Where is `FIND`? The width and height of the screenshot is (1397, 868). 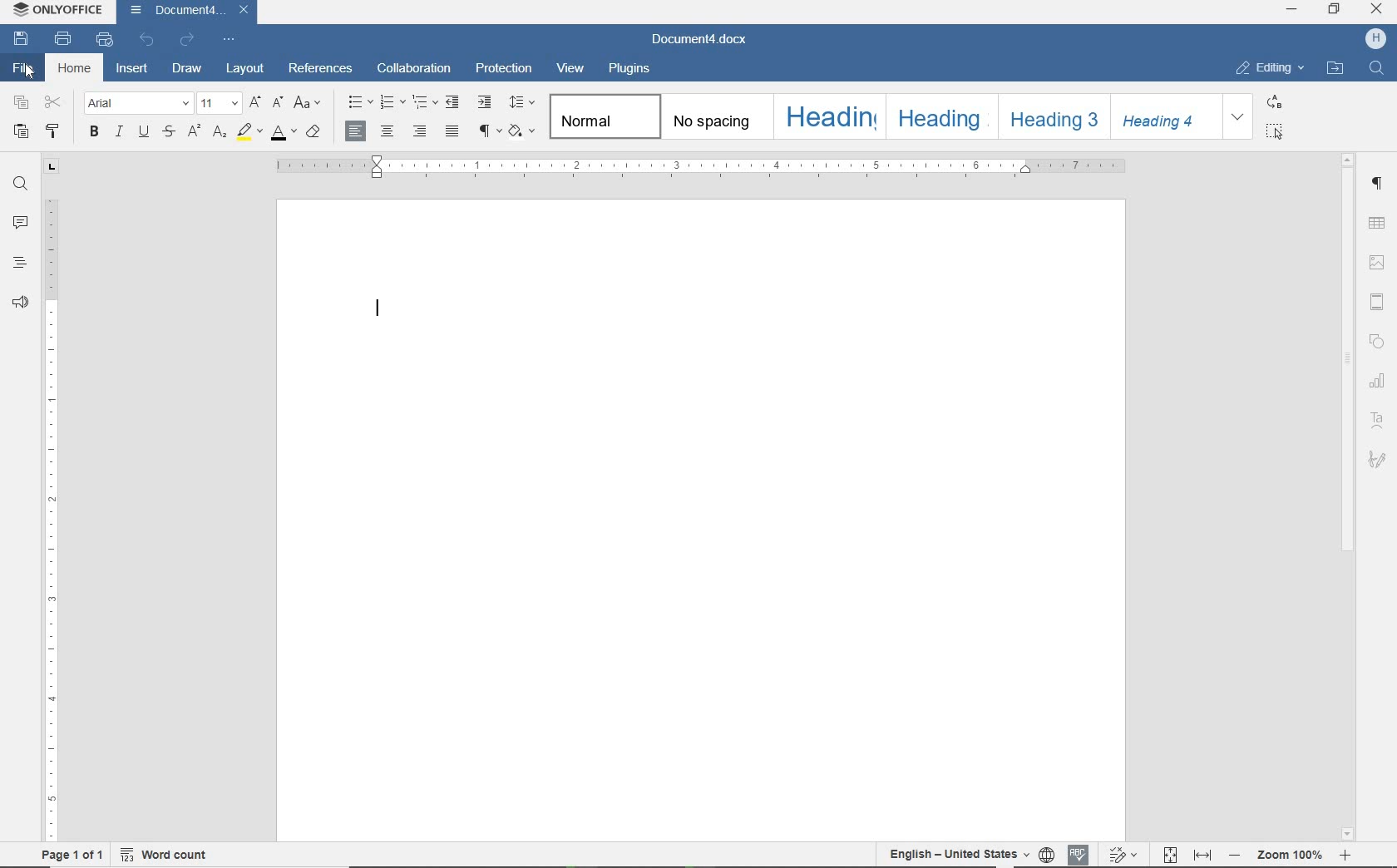
FIND is located at coordinates (1375, 69).